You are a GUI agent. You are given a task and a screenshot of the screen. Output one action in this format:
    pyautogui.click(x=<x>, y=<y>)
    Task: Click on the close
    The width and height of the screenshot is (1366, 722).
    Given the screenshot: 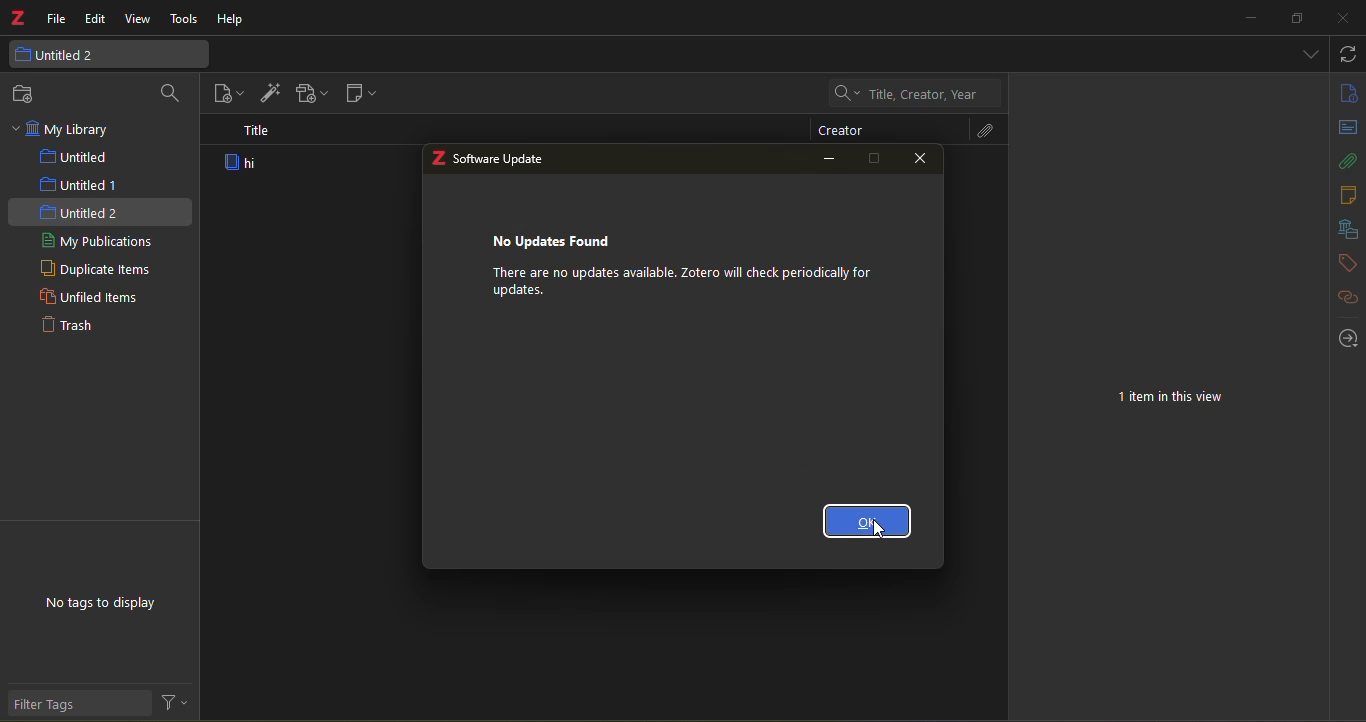 What is the action you would take?
    pyautogui.click(x=1342, y=18)
    